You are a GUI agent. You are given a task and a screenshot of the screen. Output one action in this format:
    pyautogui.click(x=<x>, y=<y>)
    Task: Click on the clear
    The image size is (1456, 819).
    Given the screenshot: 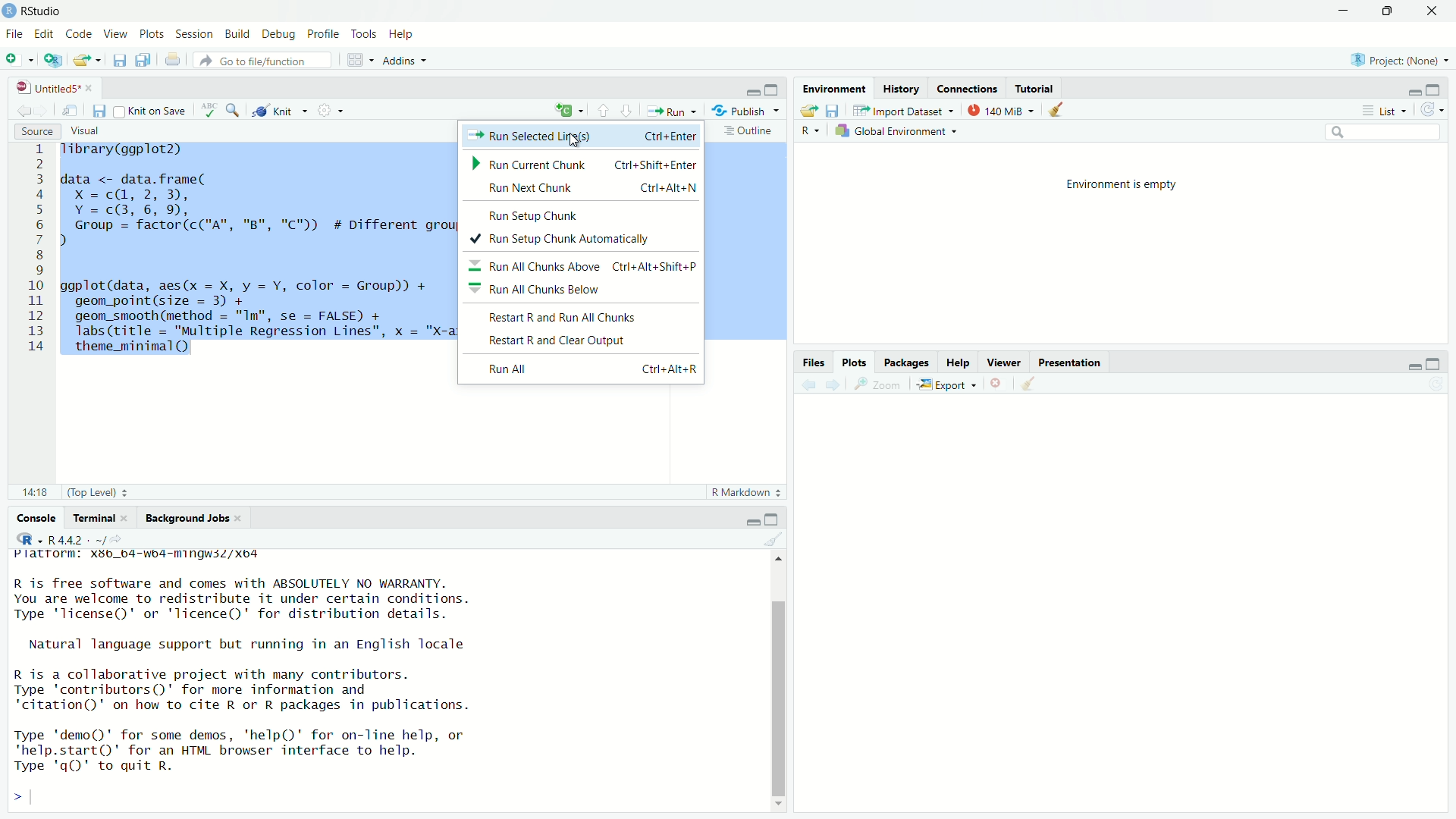 What is the action you would take?
    pyautogui.click(x=769, y=540)
    